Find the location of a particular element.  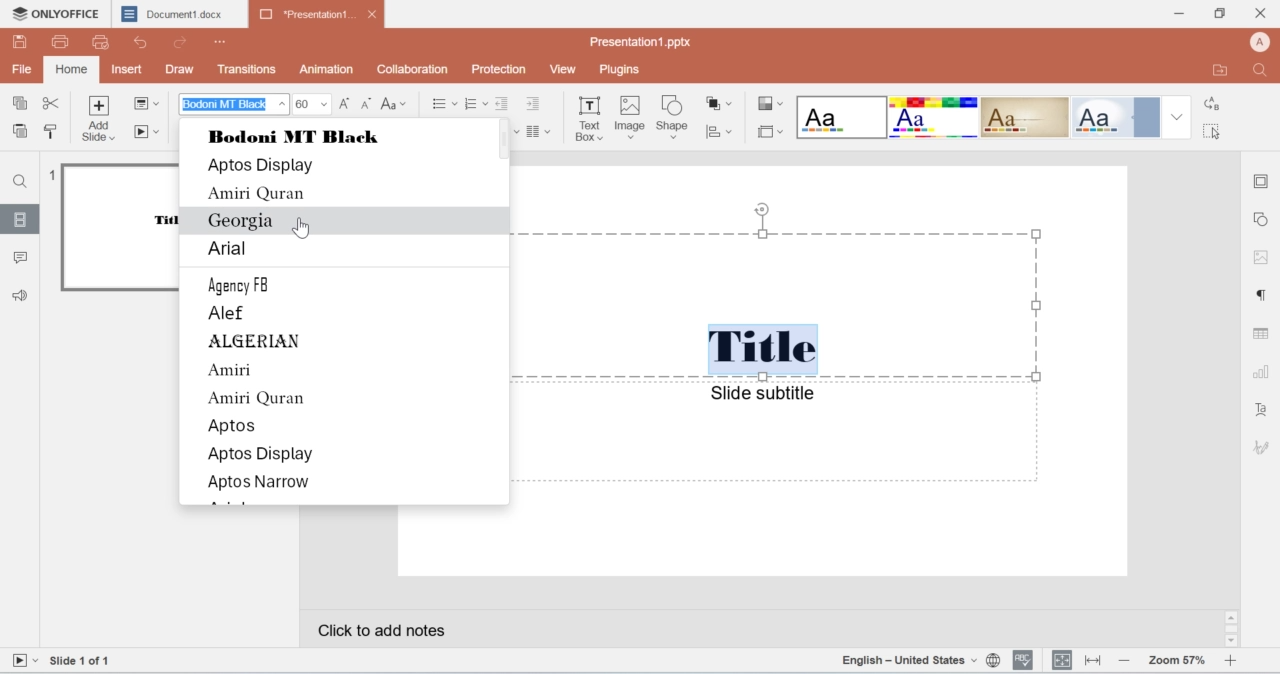

language is located at coordinates (922, 661).